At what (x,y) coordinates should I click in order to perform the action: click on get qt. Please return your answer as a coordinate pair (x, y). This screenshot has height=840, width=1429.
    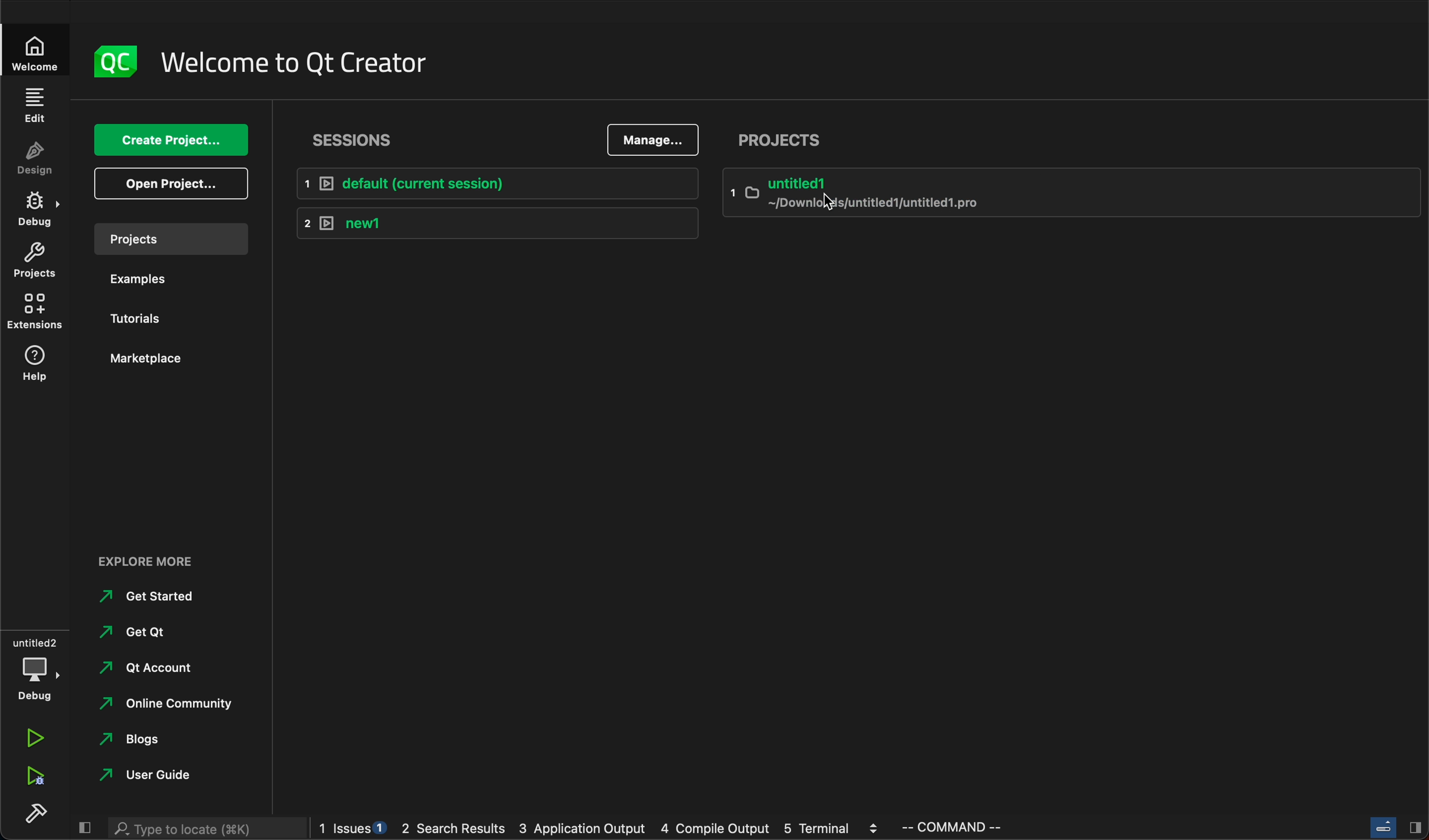
    Looking at the image, I should click on (155, 631).